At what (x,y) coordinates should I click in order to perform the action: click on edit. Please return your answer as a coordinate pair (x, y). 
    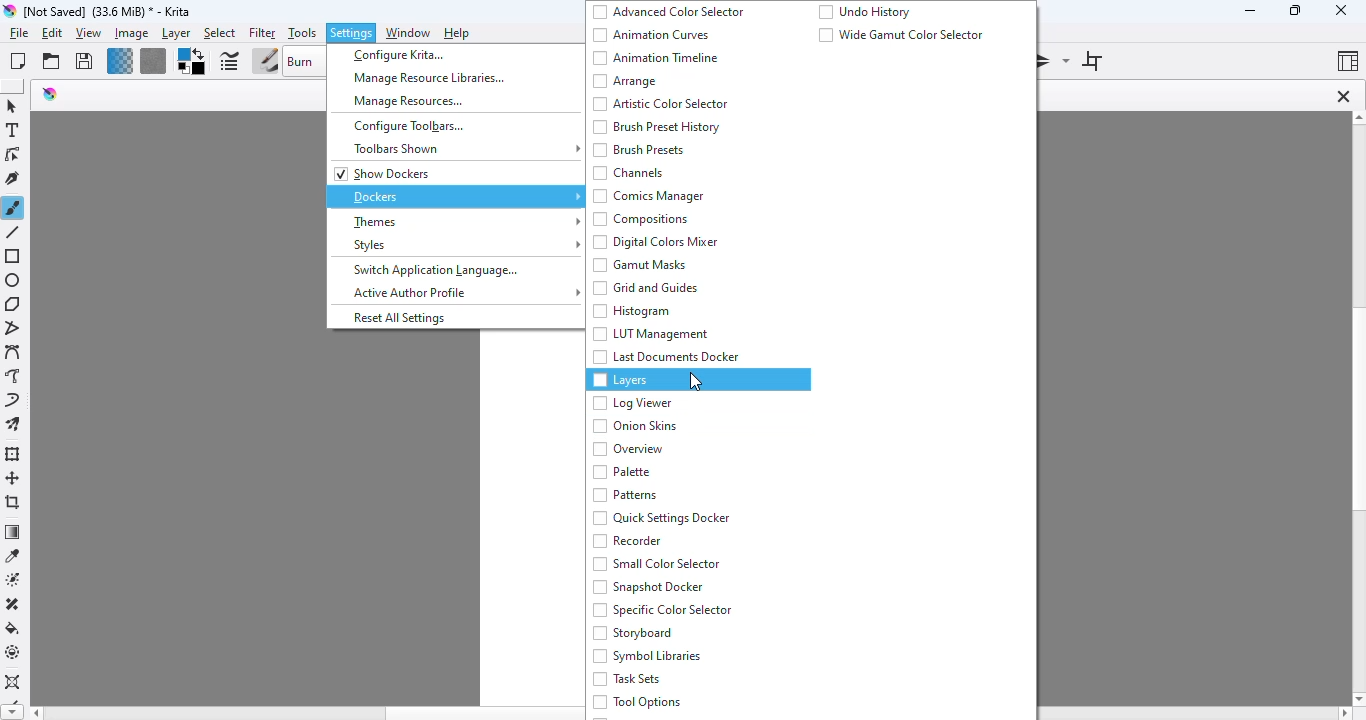
    Looking at the image, I should click on (53, 34).